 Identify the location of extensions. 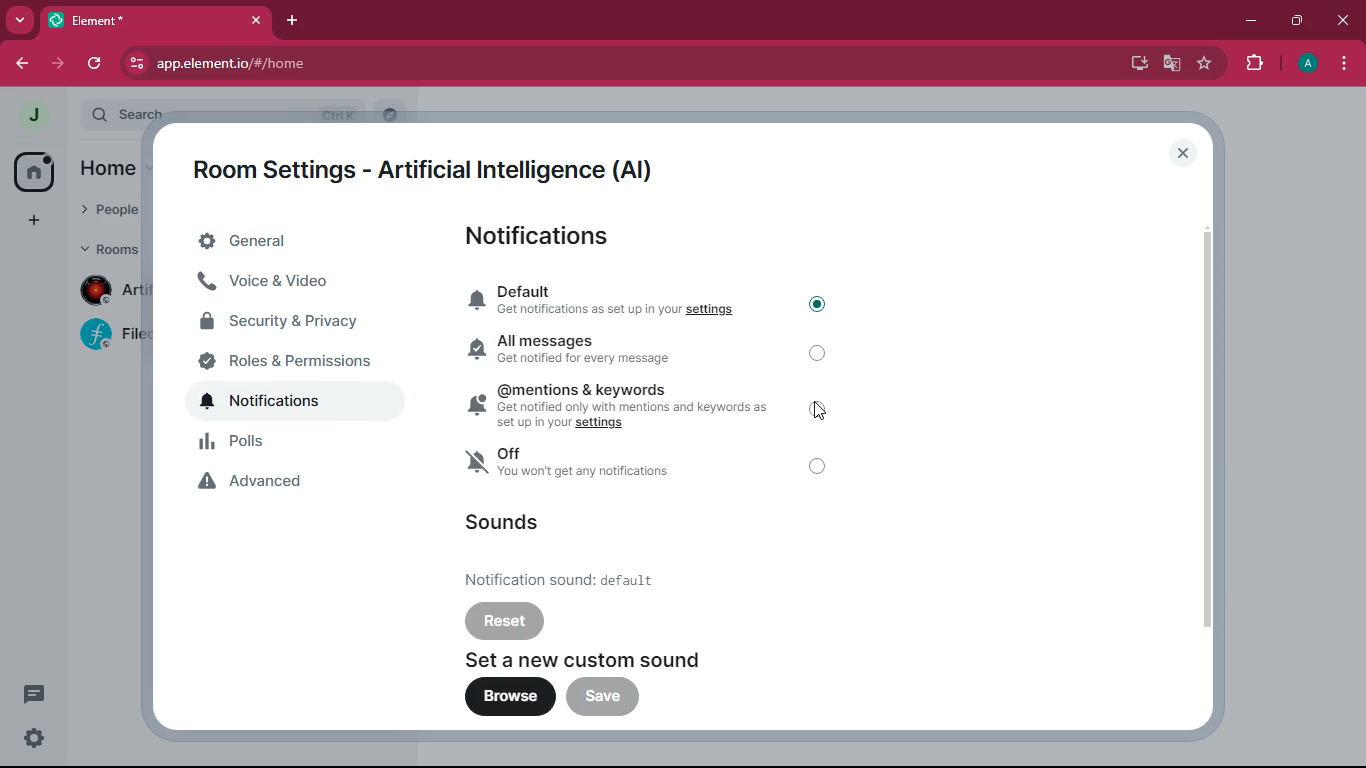
(1255, 63).